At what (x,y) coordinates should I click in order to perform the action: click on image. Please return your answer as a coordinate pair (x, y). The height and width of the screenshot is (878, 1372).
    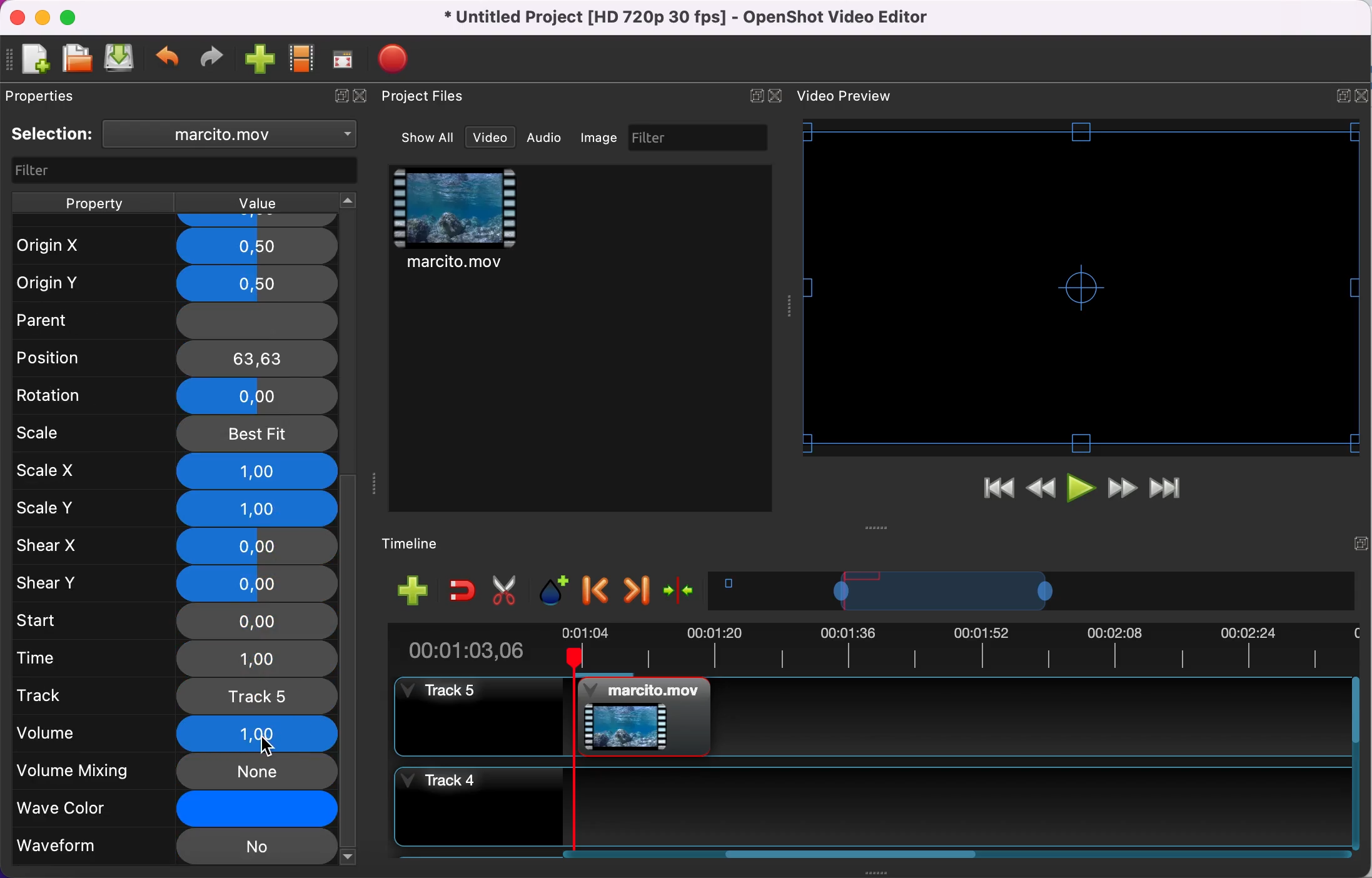
    Looking at the image, I should click on (600, 138).